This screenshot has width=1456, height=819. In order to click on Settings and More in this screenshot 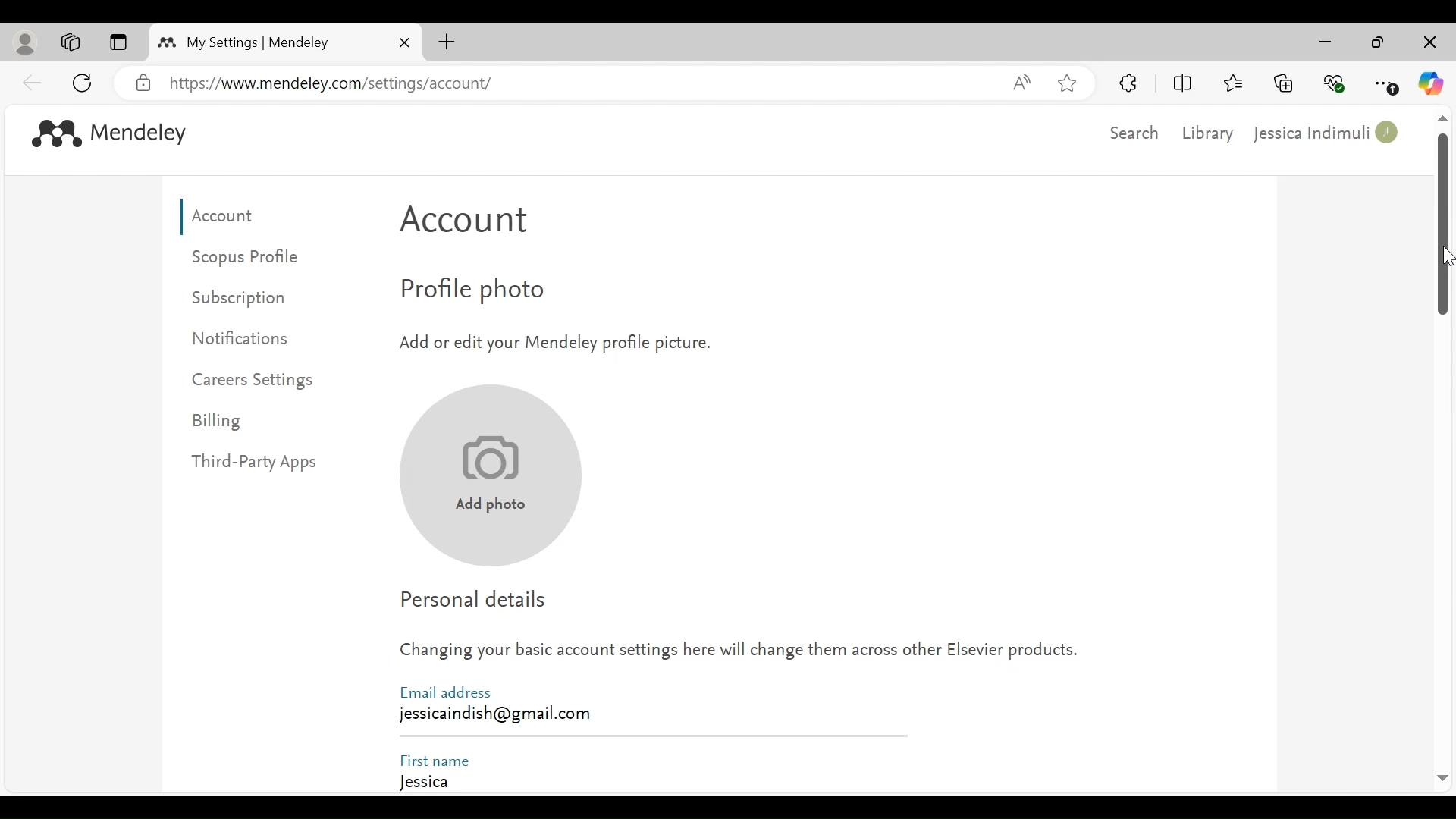, I will do `click(1387, 84)`.